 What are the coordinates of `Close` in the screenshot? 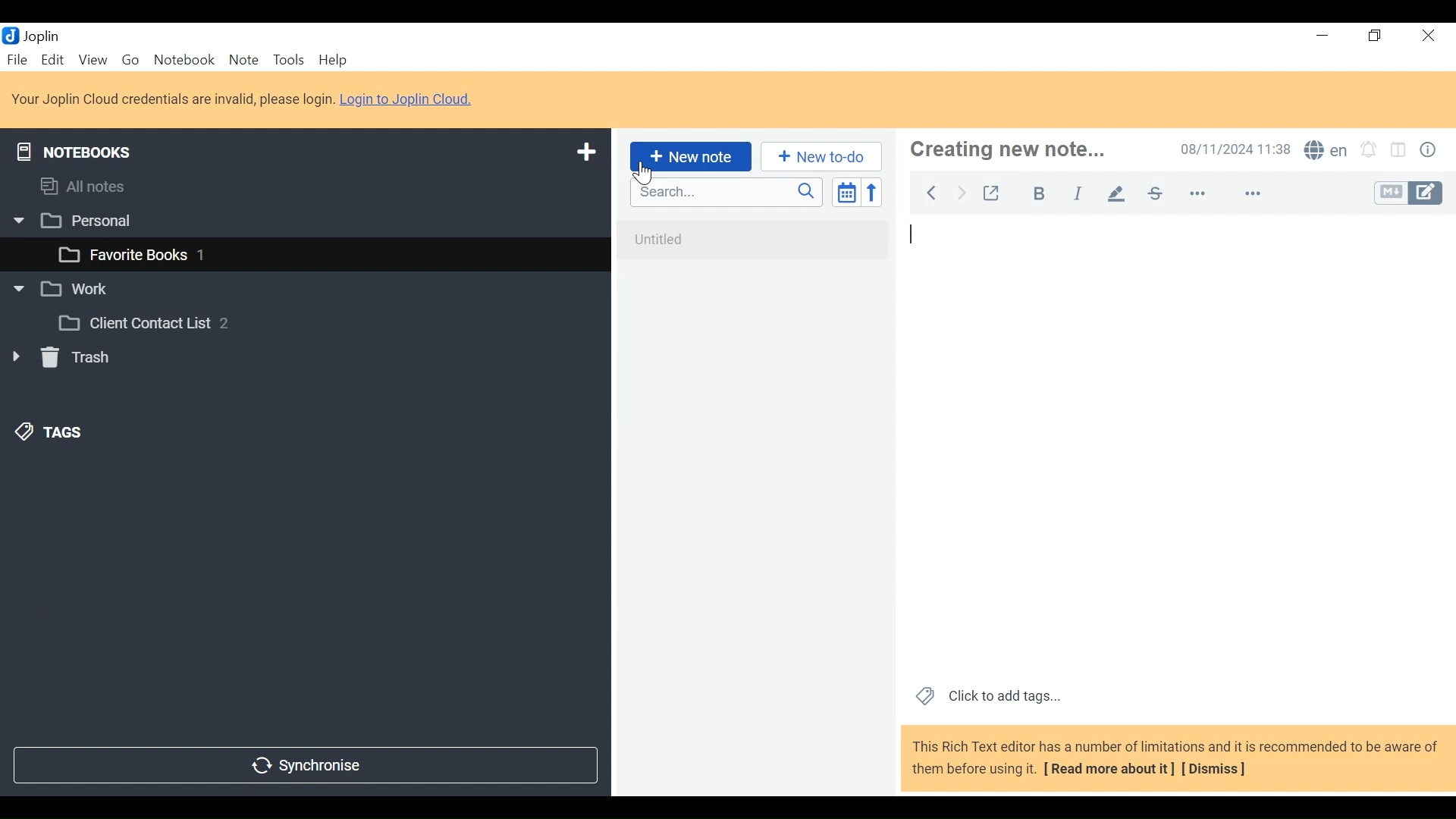 It's located at (1429, 34).